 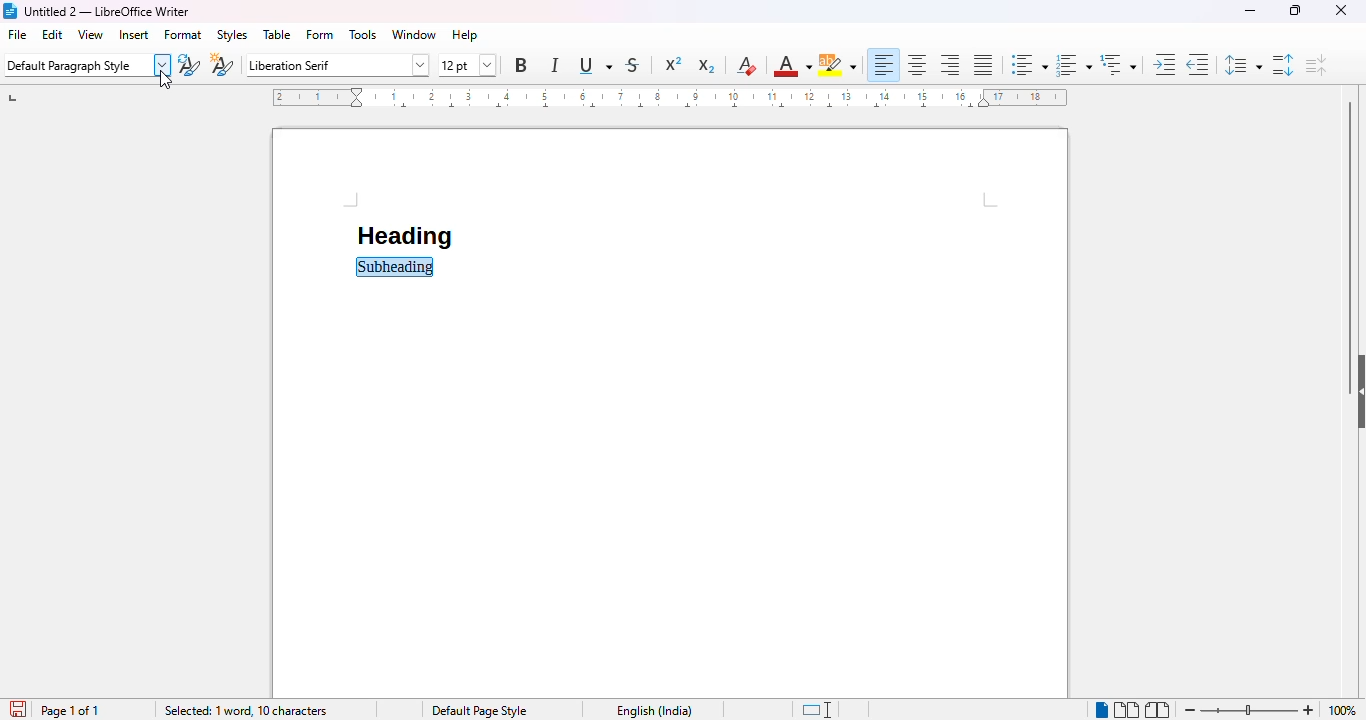 What do you see at coordinates (17, 34) in the screenshot?
I see `file` at bounding box center [17, 34].